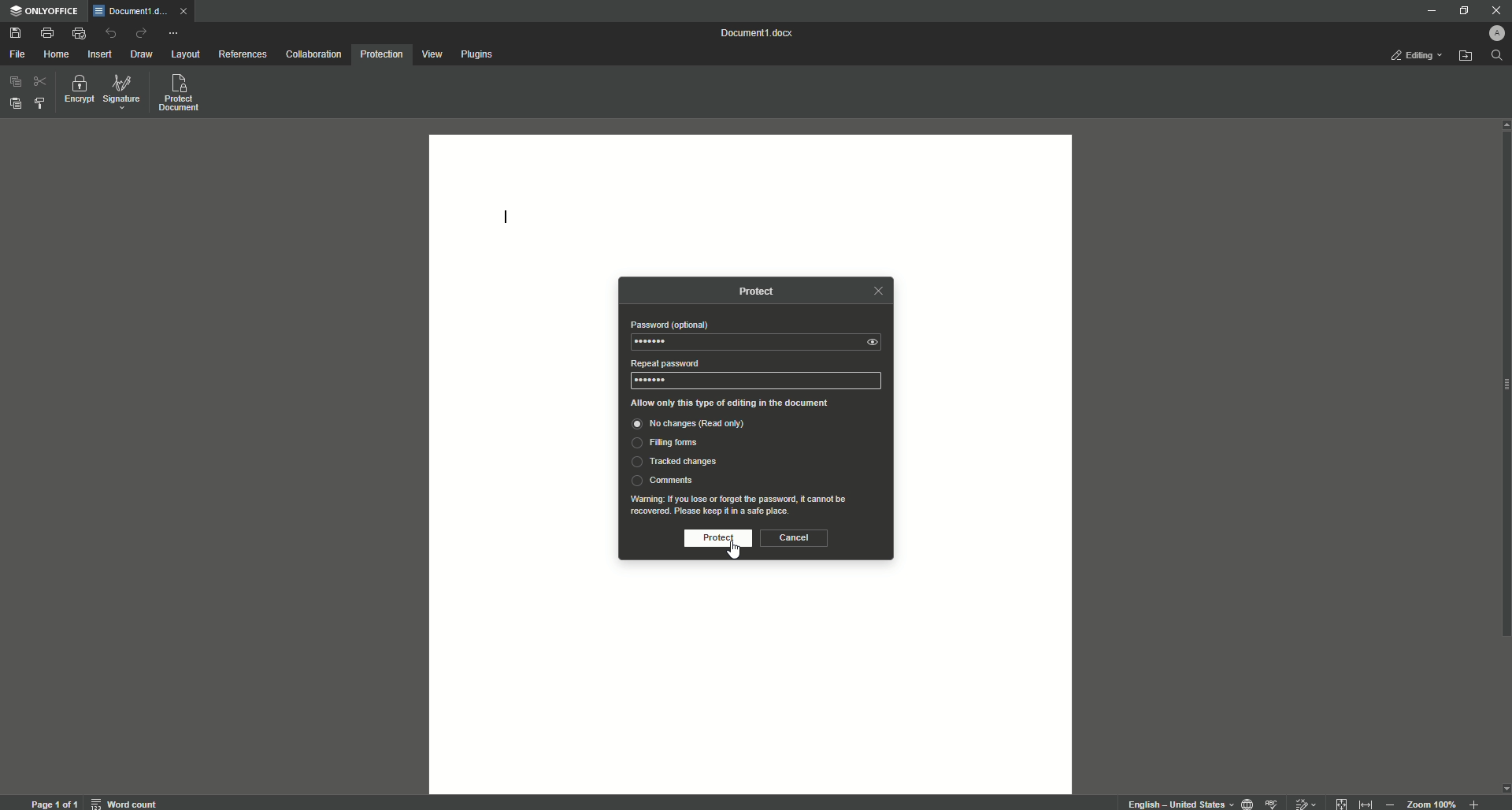 This screenshot has height=810, width=1512. Describe the element at coordinates (877, 291) in the screenshot. I see `close` at that location.